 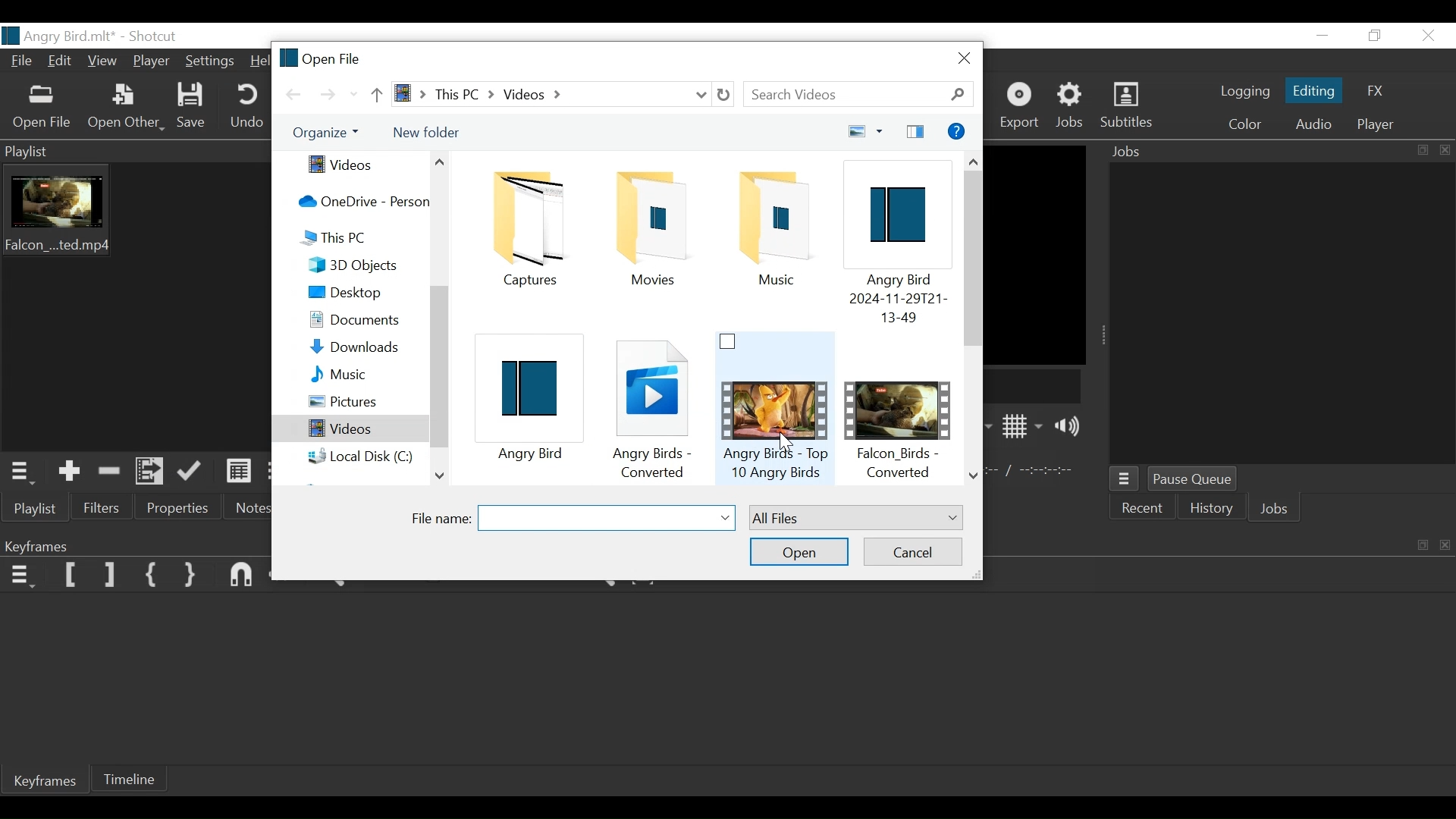 I want to click on Close, so click(x=1428, y=36).